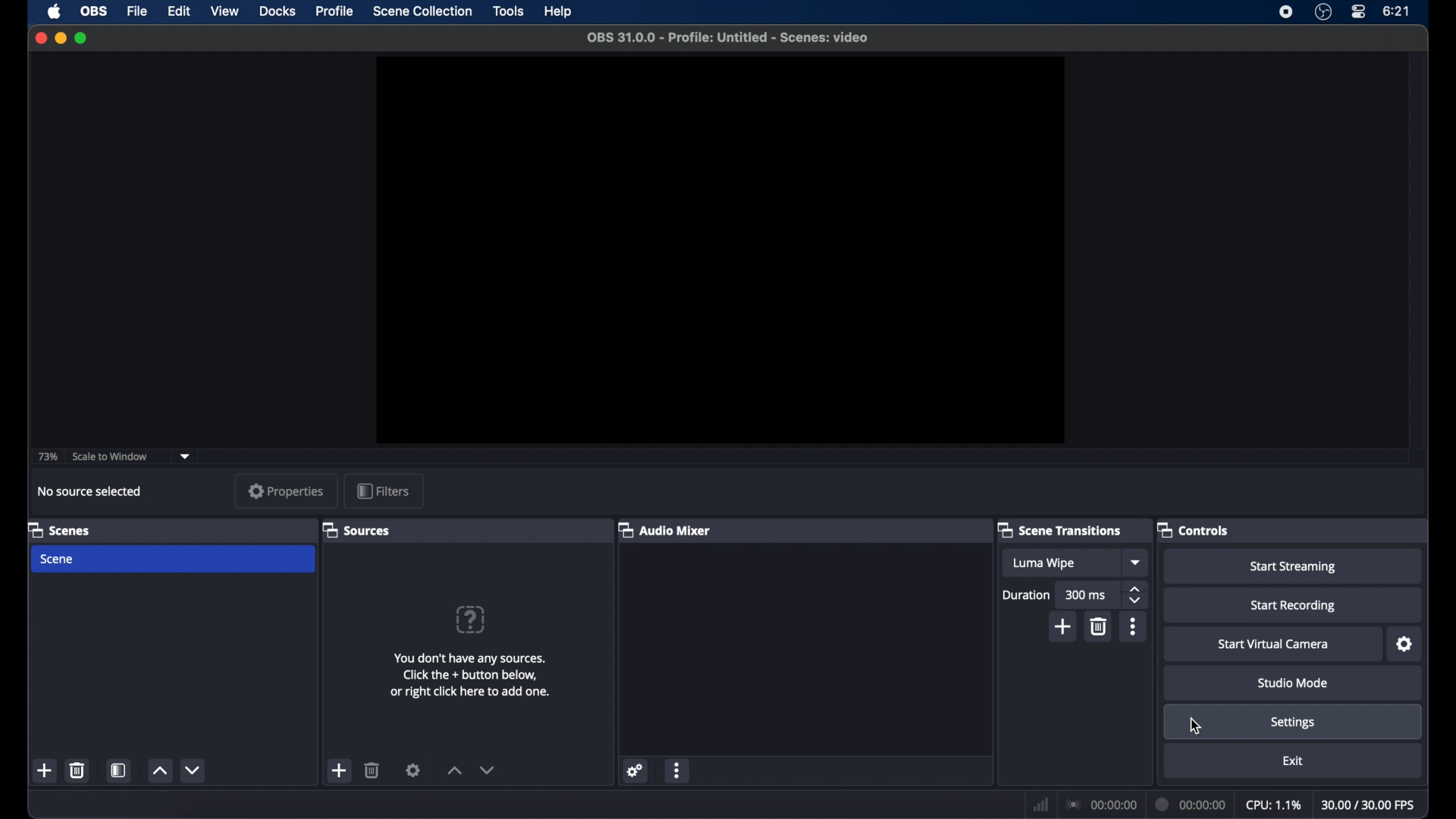 This screenshot has width=1456, height=819. Describe the element at coordinates (559, 12) in the screenshot. I see `help` at that location.